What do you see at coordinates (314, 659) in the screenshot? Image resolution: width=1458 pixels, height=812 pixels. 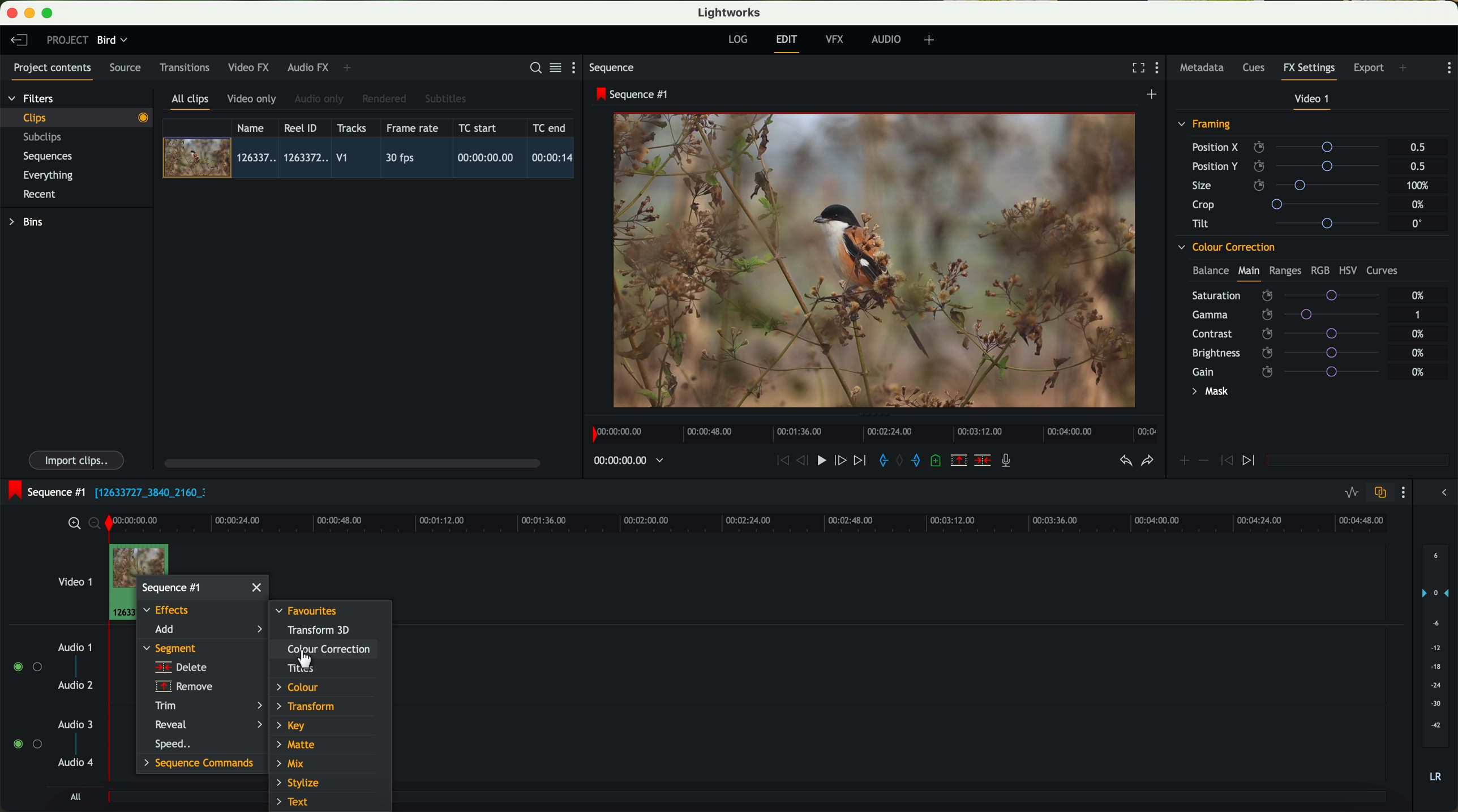 I see `Mouse Pointer` at bounding box center [314, 659].